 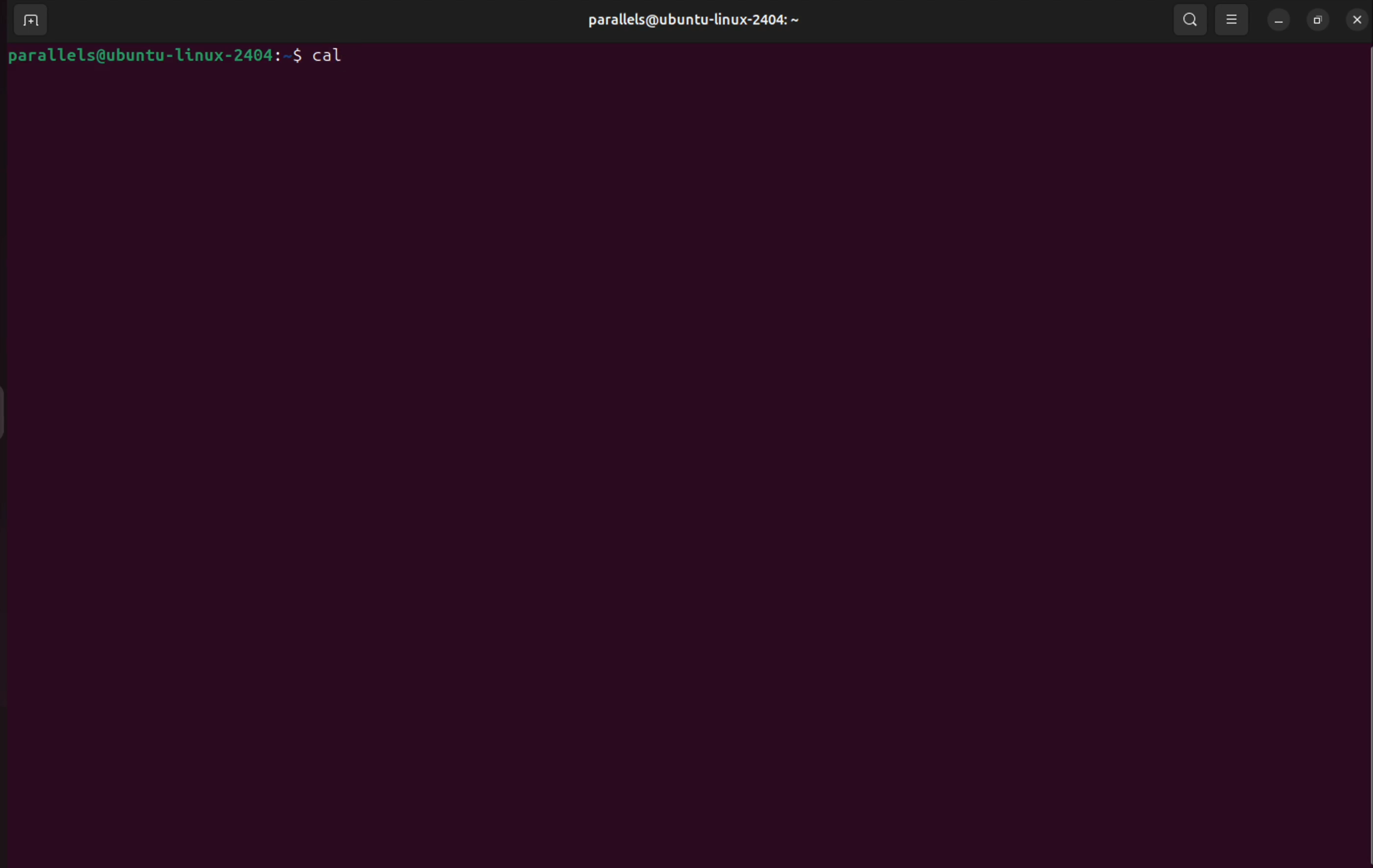 What do you see at coordinates (1279, 20) in the screenshot?
I see `minimum` at bounding box center [1279, 20].